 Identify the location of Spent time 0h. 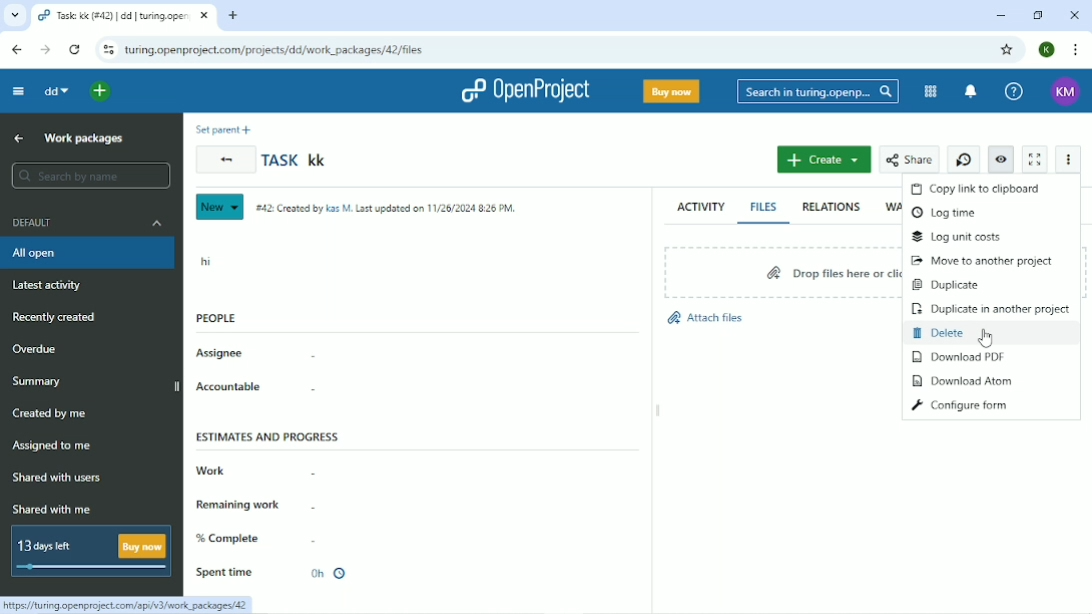
(274, 573).